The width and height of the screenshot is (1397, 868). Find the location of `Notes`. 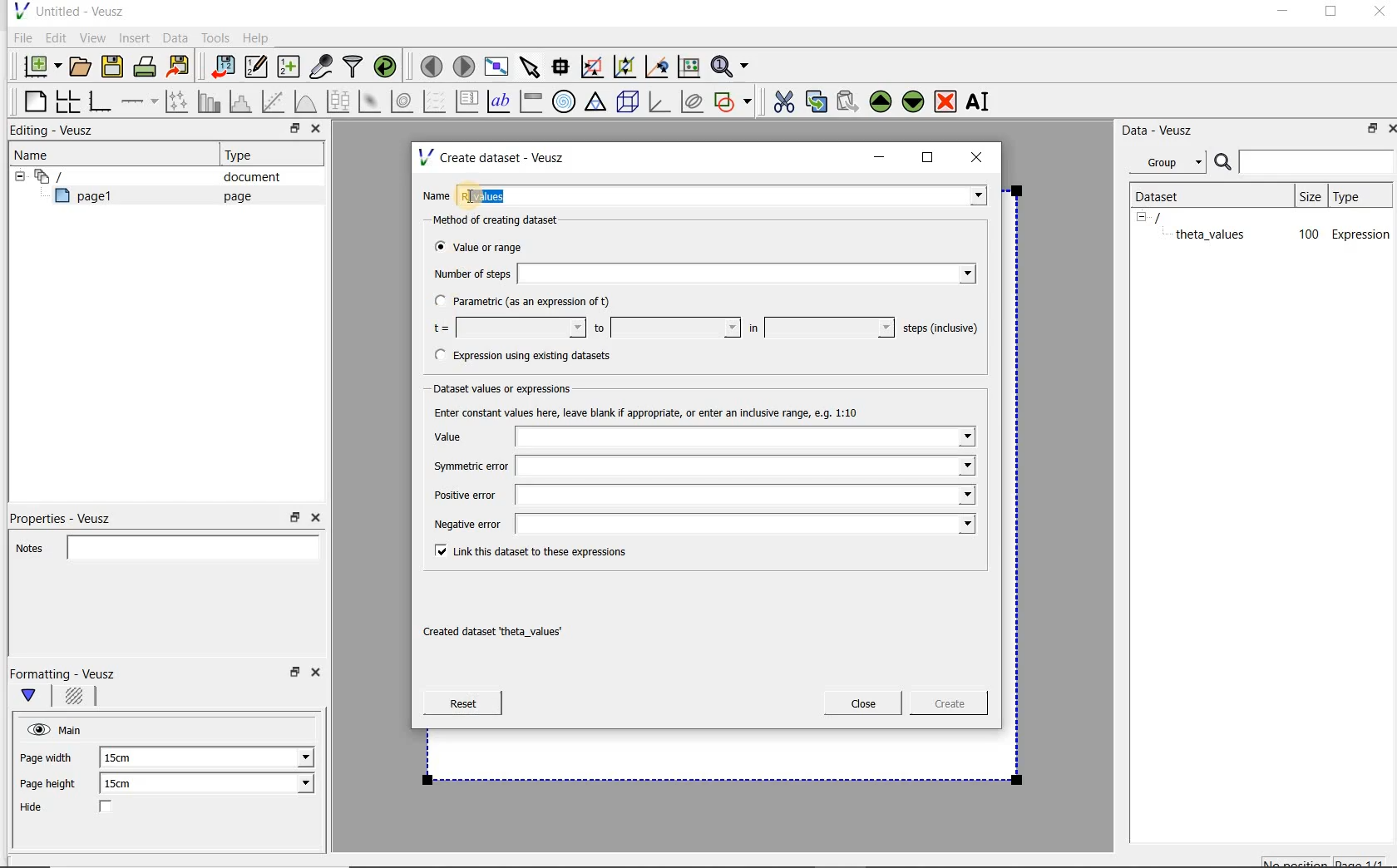

Notes is located at coordinates (162, 545).